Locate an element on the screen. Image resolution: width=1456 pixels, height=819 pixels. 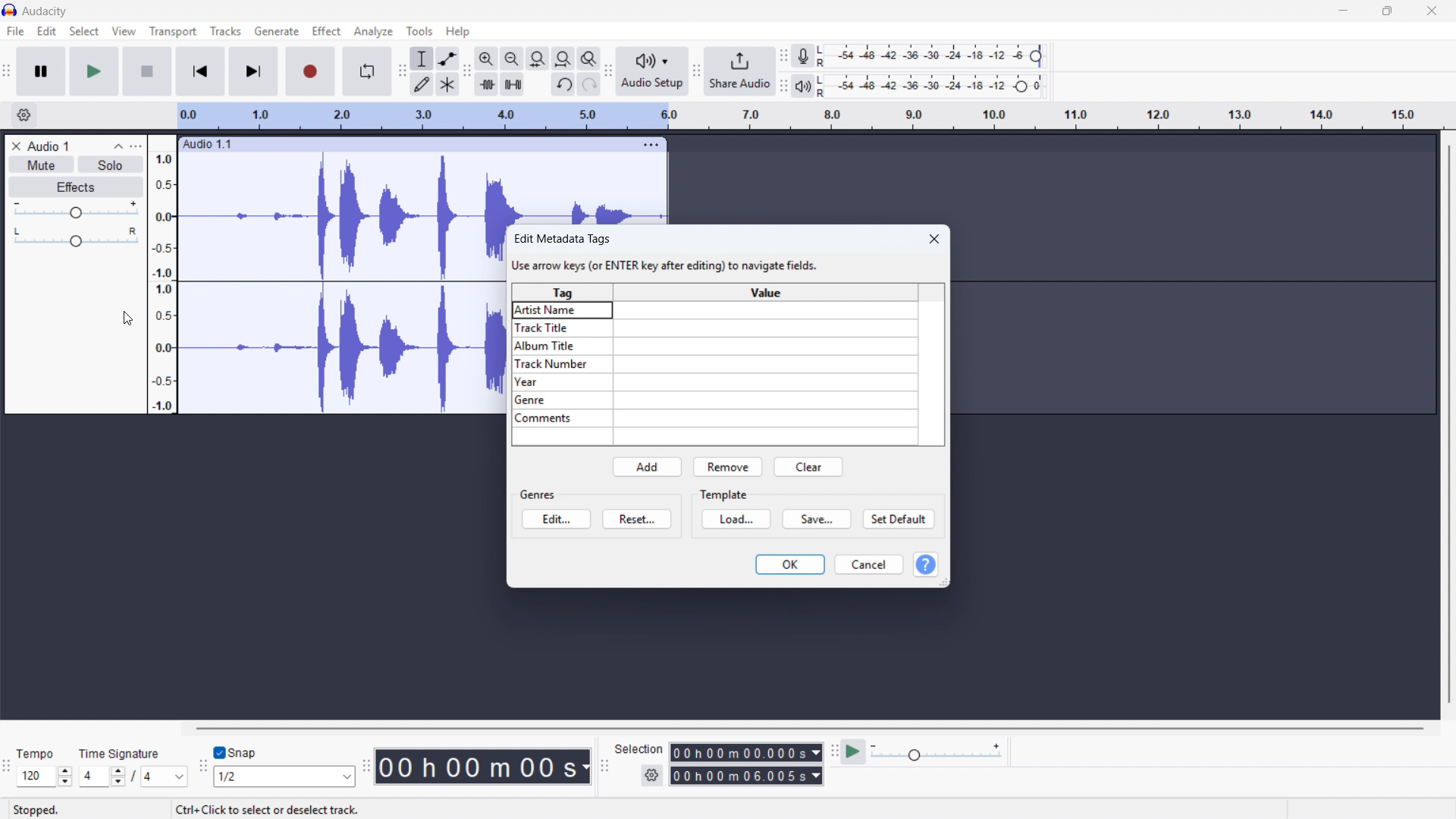
snapping toolbar is located at coordinates (201, 768).